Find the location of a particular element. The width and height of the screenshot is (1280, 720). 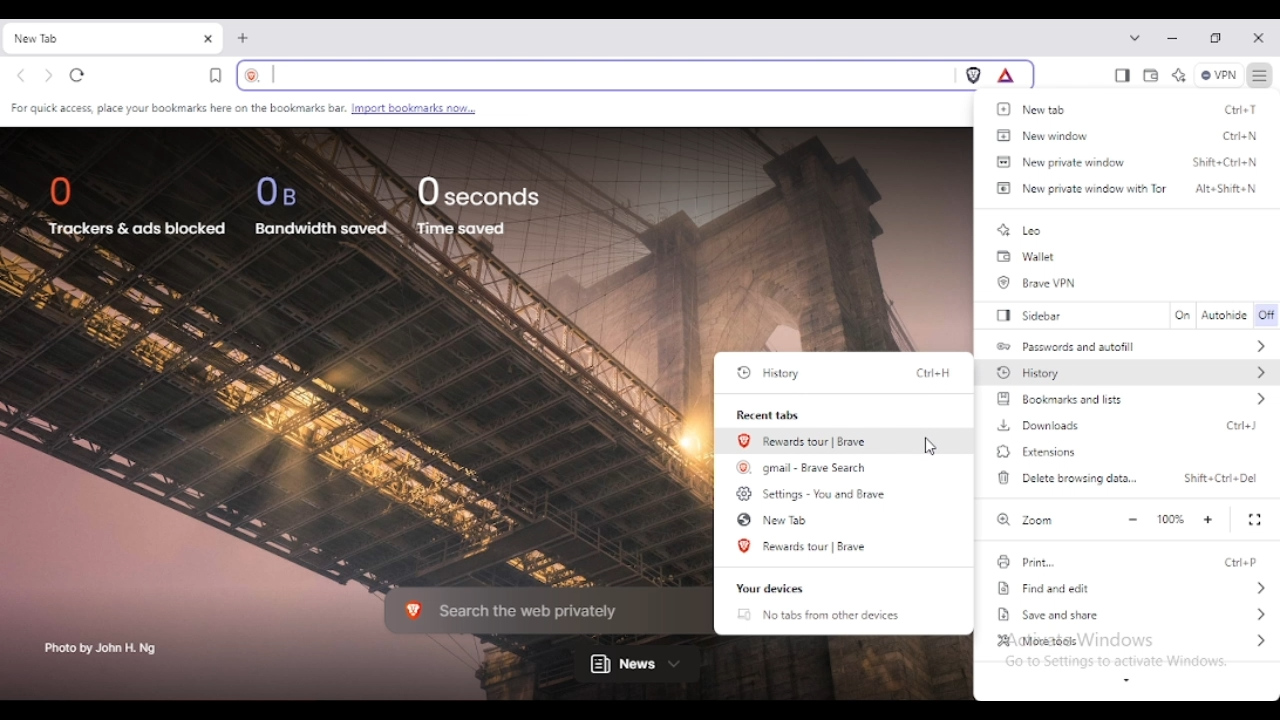

minimize is located at coordinates (1173, 38).